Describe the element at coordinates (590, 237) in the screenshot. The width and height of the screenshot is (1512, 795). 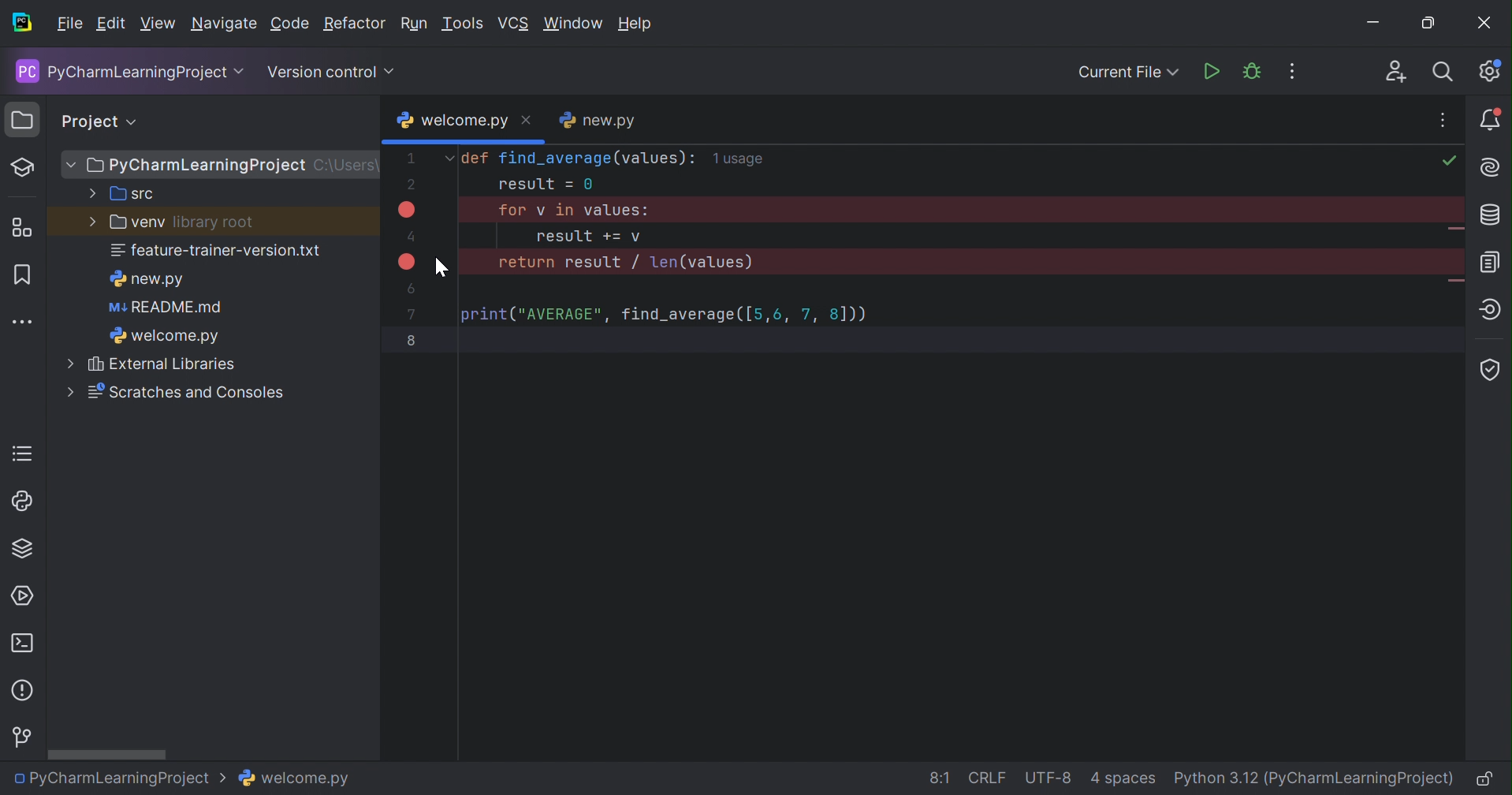
I see `result =+=v` at that location.